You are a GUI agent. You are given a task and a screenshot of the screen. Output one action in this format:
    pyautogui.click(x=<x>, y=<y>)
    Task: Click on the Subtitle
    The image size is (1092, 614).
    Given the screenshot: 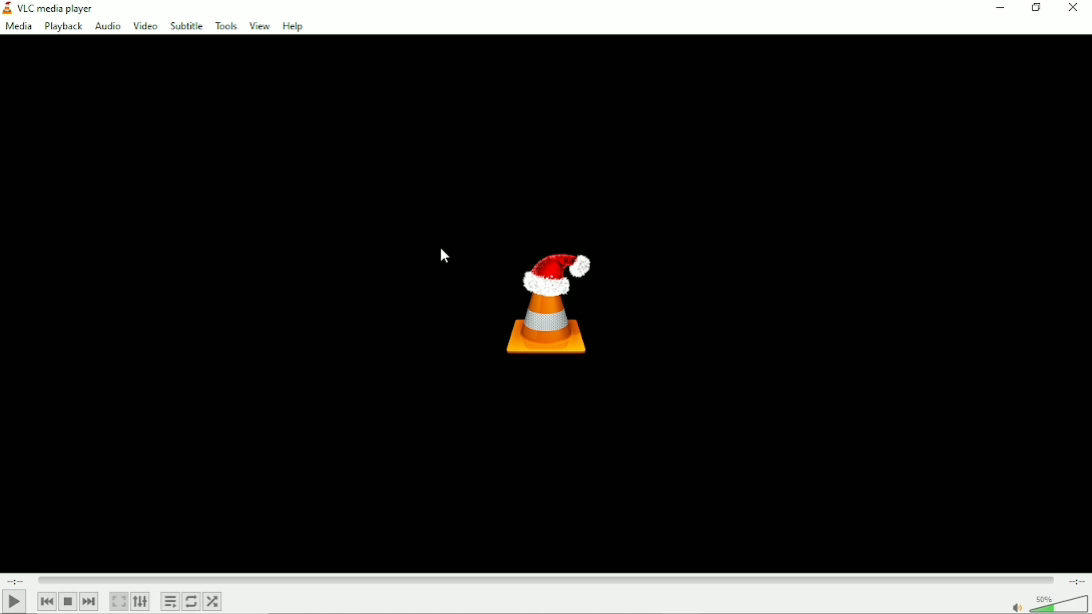 What is the action you would take?
    pyautogui.click(x=186, y=24)
    